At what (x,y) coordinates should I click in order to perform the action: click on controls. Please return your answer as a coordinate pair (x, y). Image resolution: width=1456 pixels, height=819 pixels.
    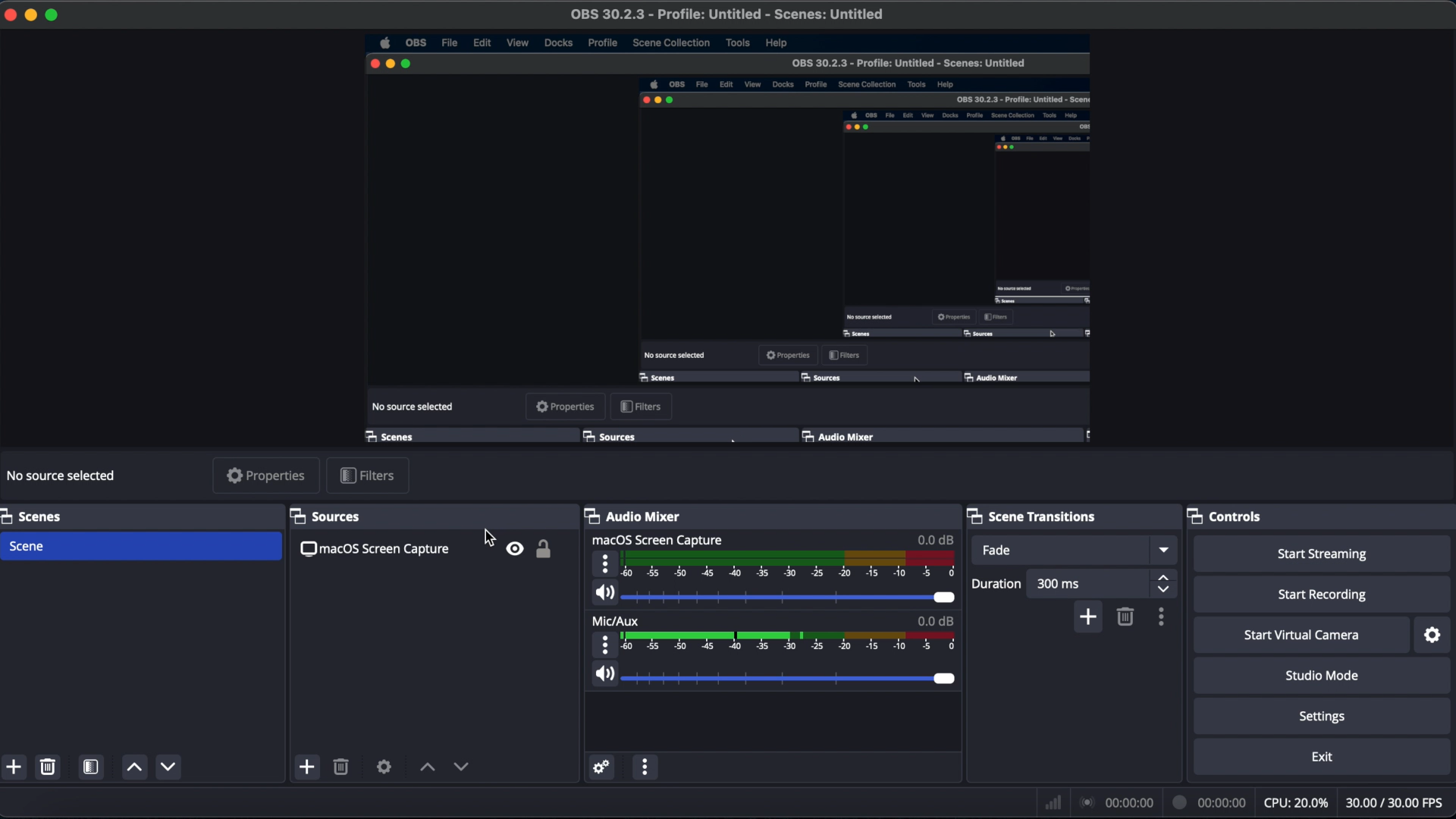
    Looking at the image, I should click on (1223, 516).